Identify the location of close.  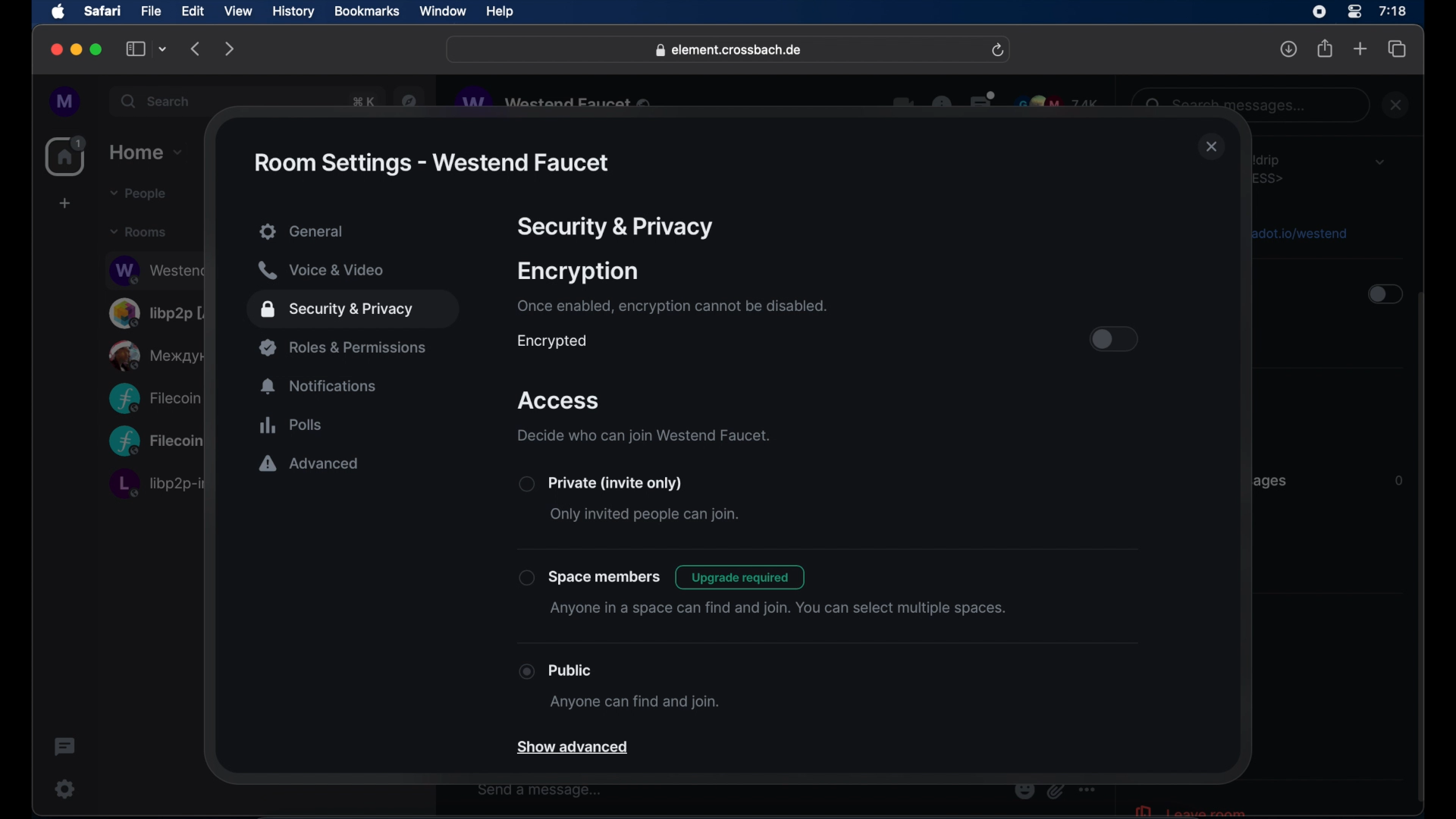
(1212, 148).